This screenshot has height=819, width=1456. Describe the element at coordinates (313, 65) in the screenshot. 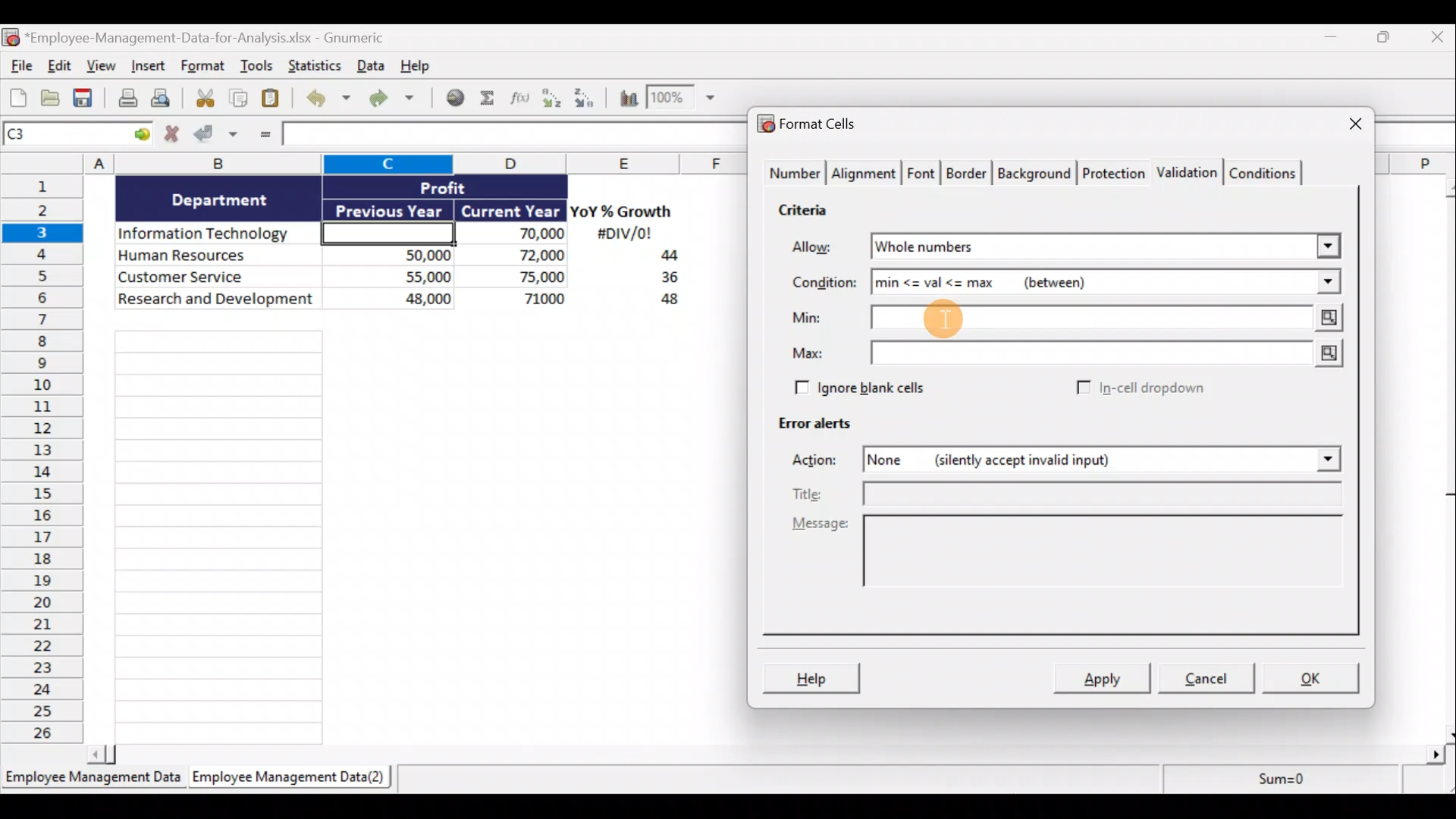

I see `Statistics` at that location.